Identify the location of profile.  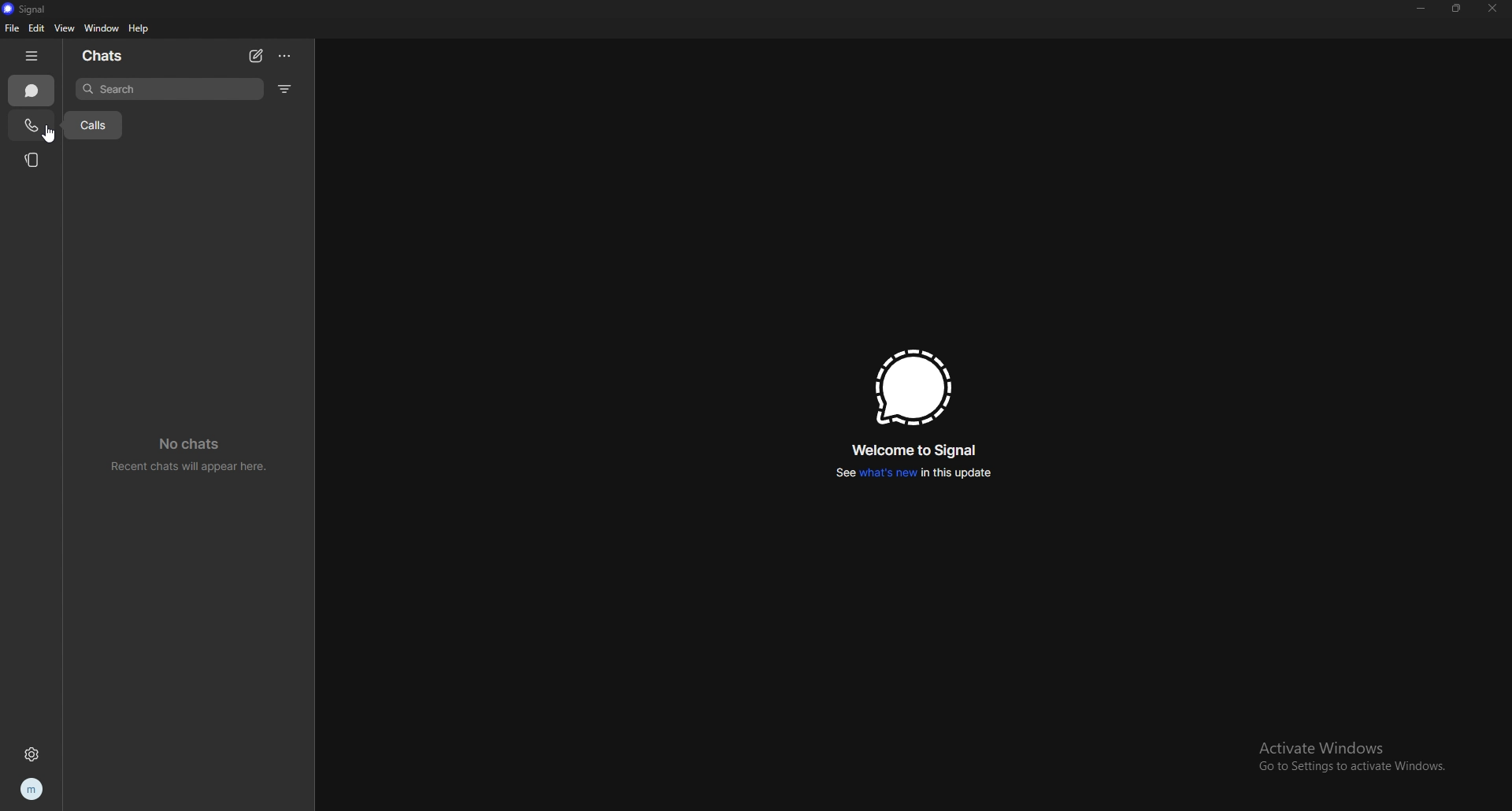
(31, 790).